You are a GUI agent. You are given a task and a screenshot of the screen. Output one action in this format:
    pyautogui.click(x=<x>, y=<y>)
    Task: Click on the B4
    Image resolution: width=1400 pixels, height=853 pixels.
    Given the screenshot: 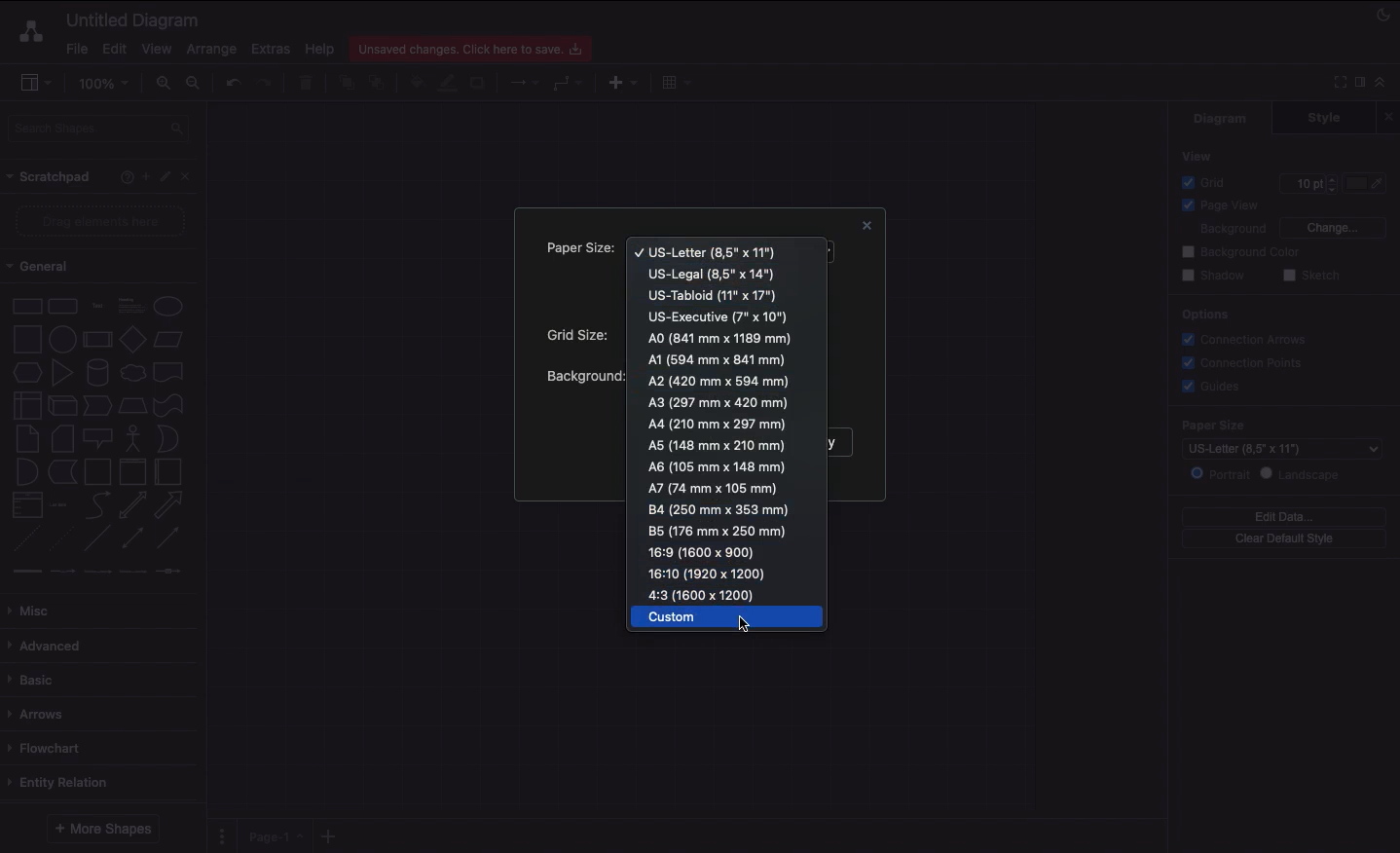 What is the action you would take?
    pyautogui.click(x=720, y=510)
    